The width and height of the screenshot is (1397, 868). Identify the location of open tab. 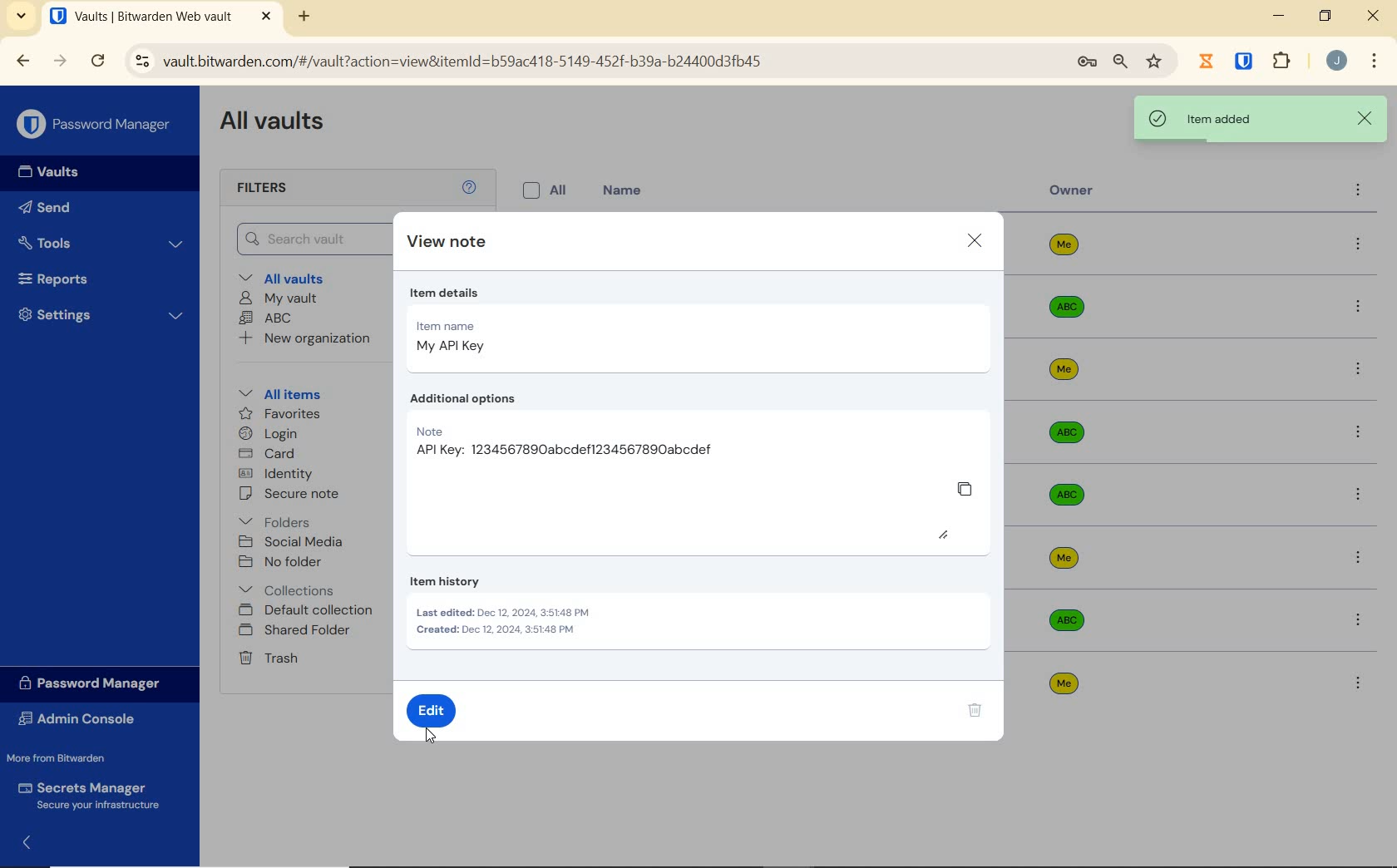
(141, 17).